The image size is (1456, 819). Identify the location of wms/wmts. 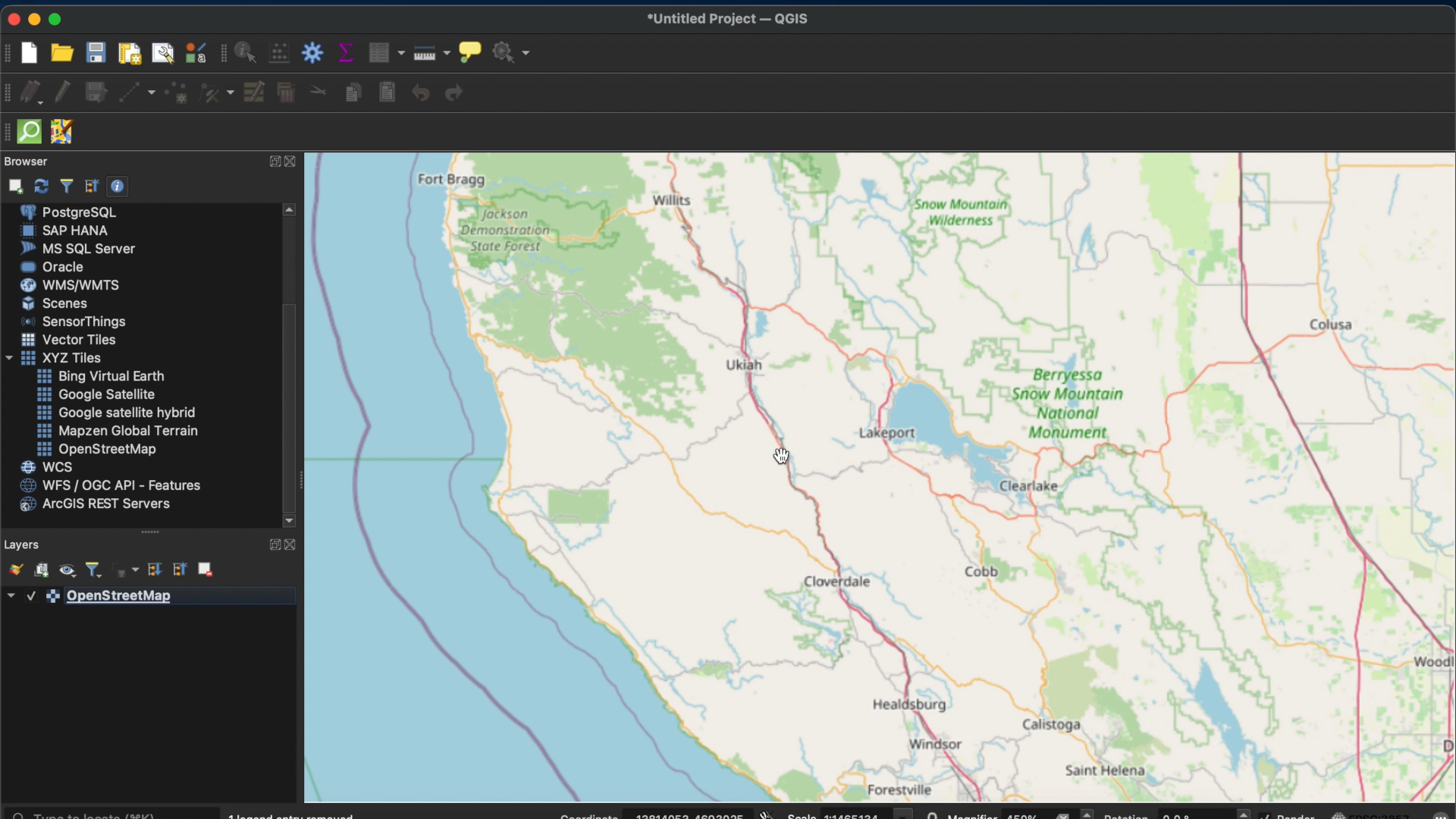
(67, 284).